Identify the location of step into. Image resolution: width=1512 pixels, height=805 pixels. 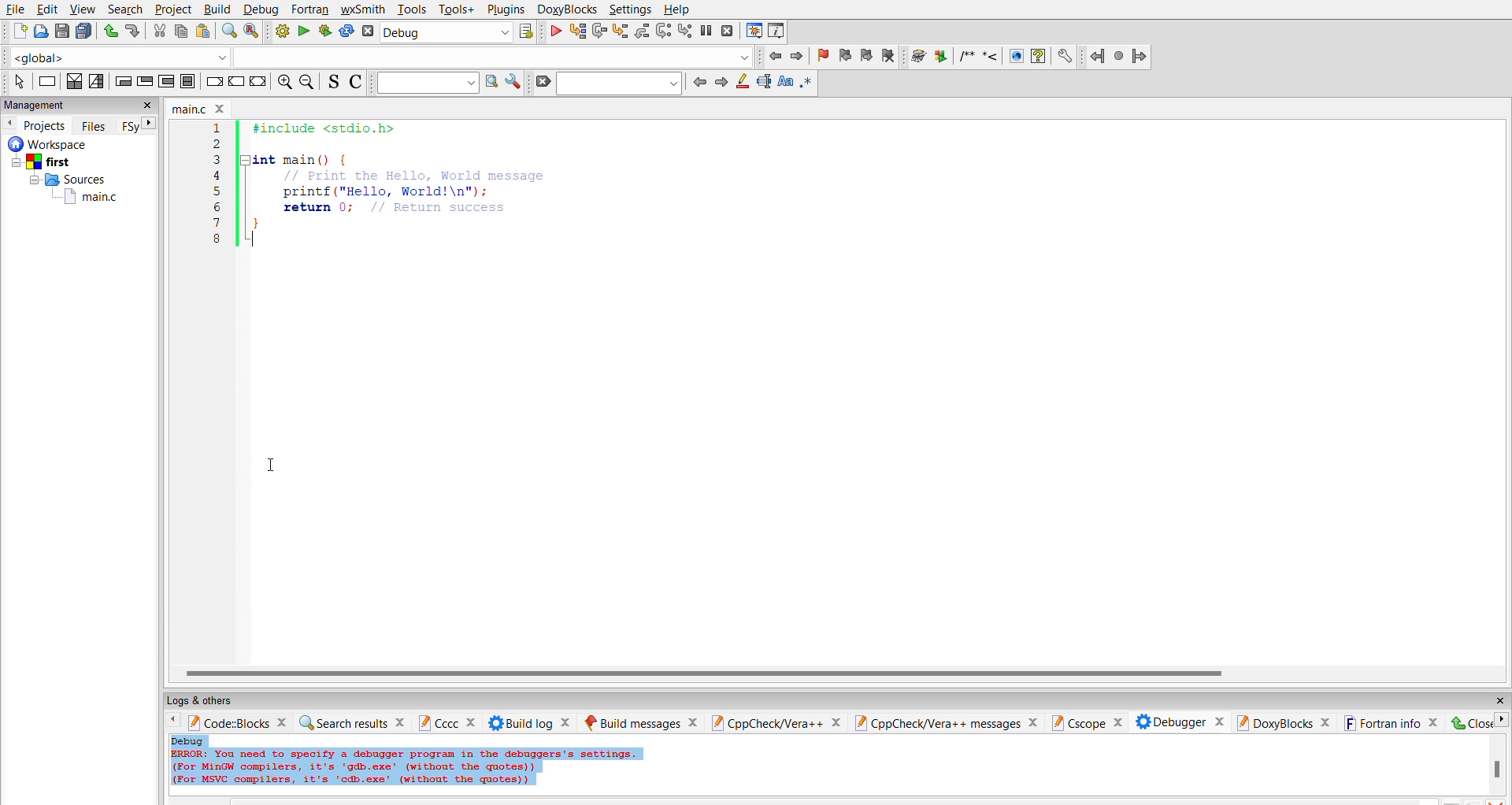
(624, 32).